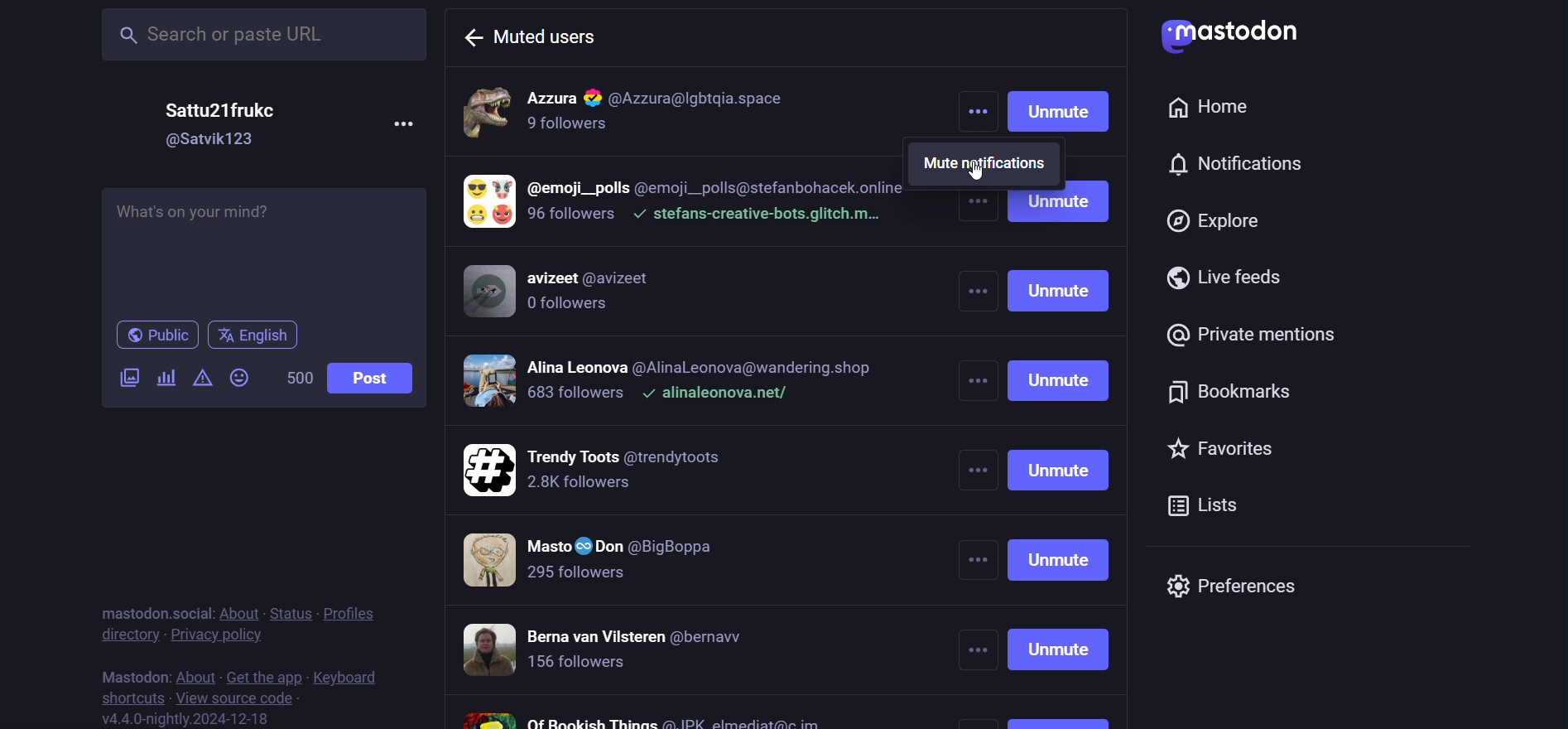  I want to click on source code, so click(243, 698).